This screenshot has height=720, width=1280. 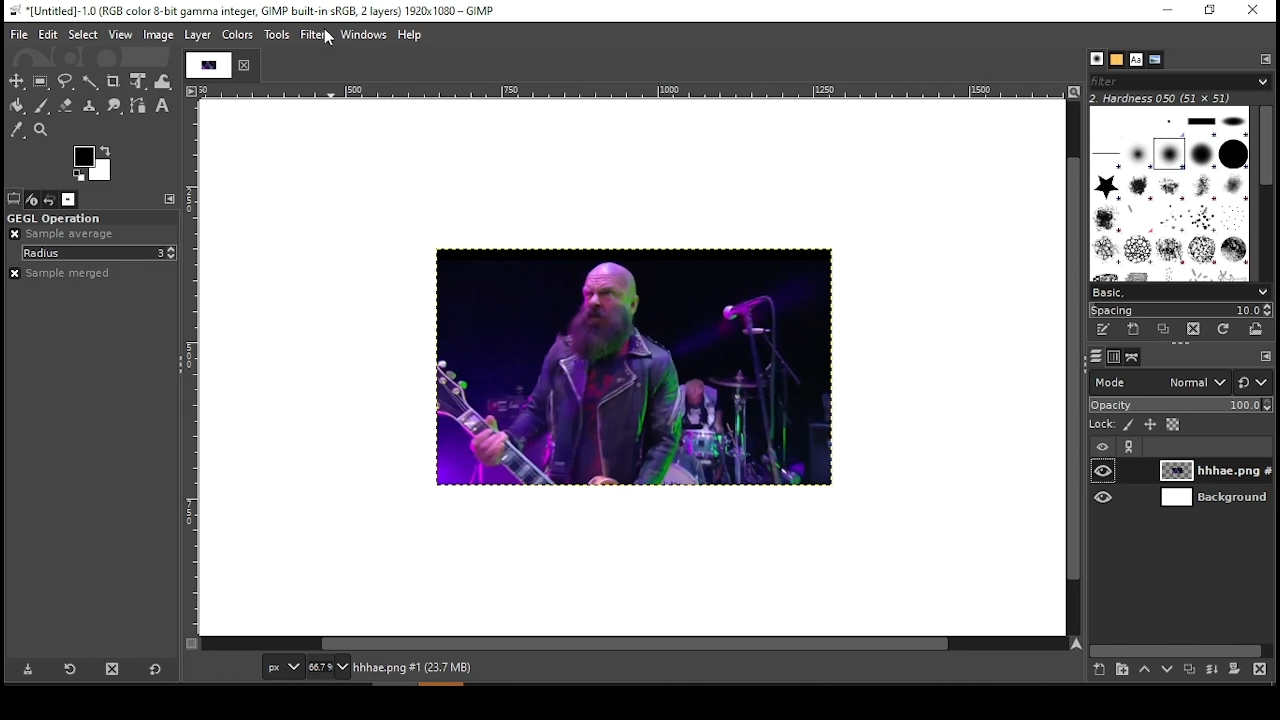 What do you see at coordinates (17, 81) in the screenshot?
I see `move tool` at bounding box center [17, 81].